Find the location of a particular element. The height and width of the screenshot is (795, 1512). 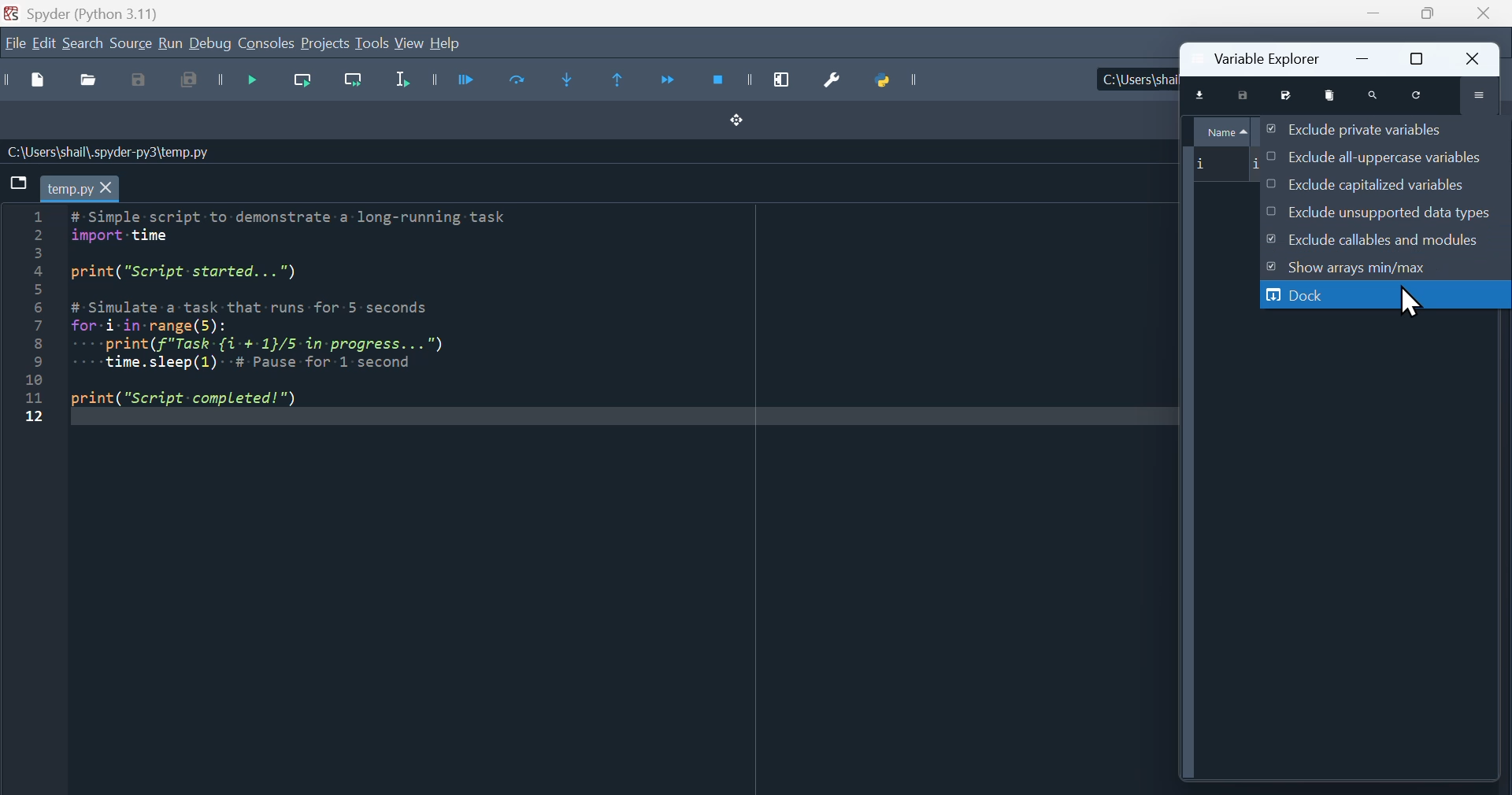

run current cell is located at coordinates (511, 83).